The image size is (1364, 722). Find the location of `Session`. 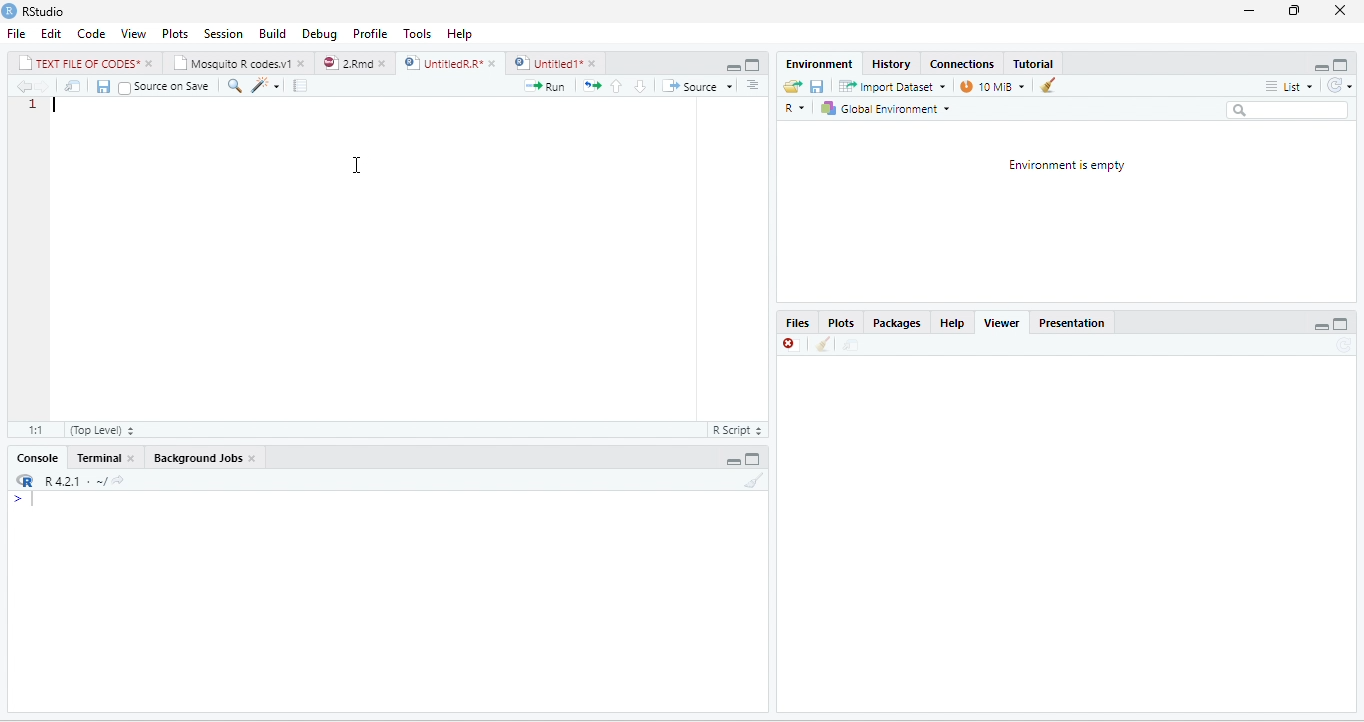

Session is located at coordinates (221, 32).